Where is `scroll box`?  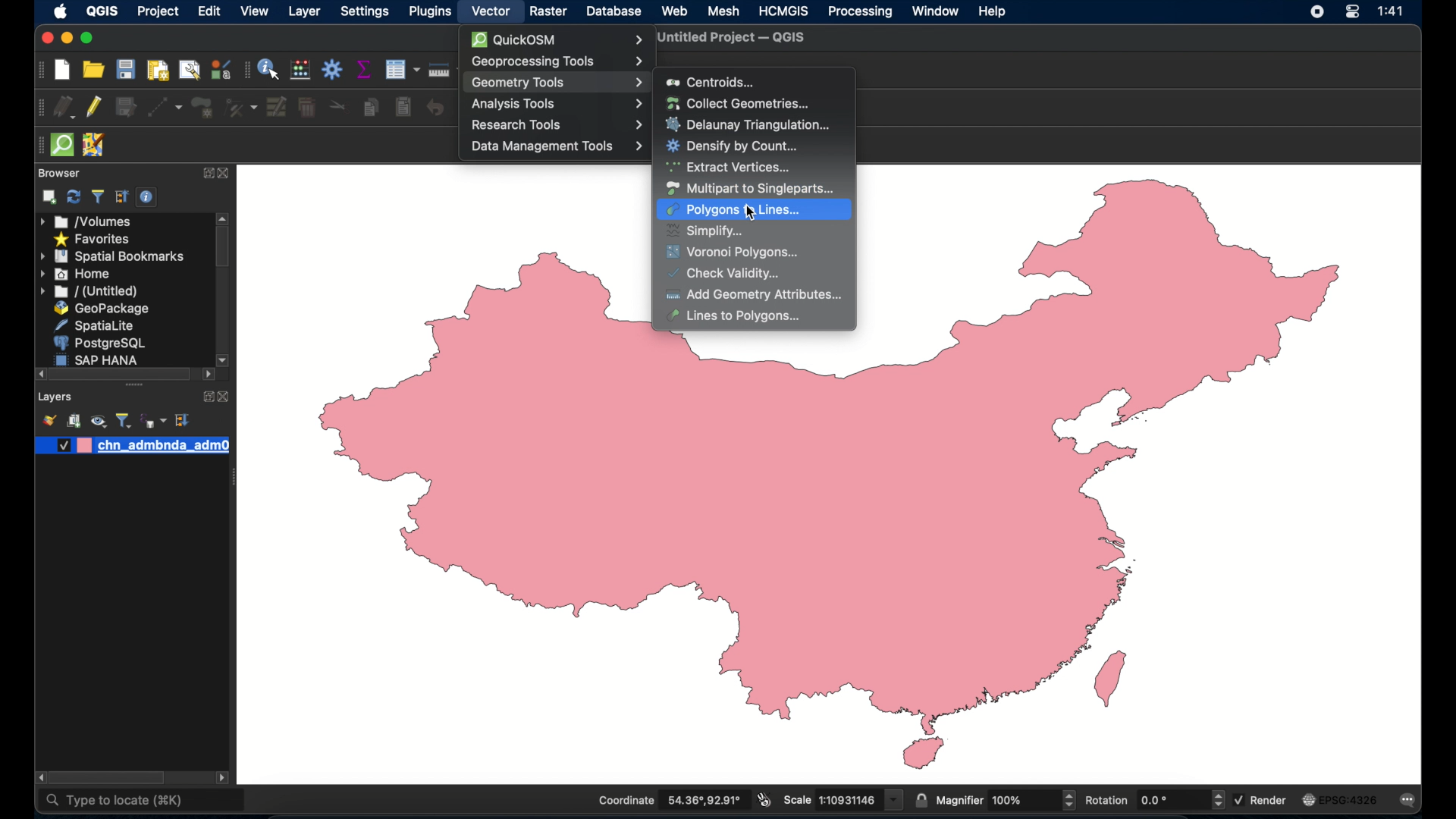
scroll box is located at coordinates (107, 777).